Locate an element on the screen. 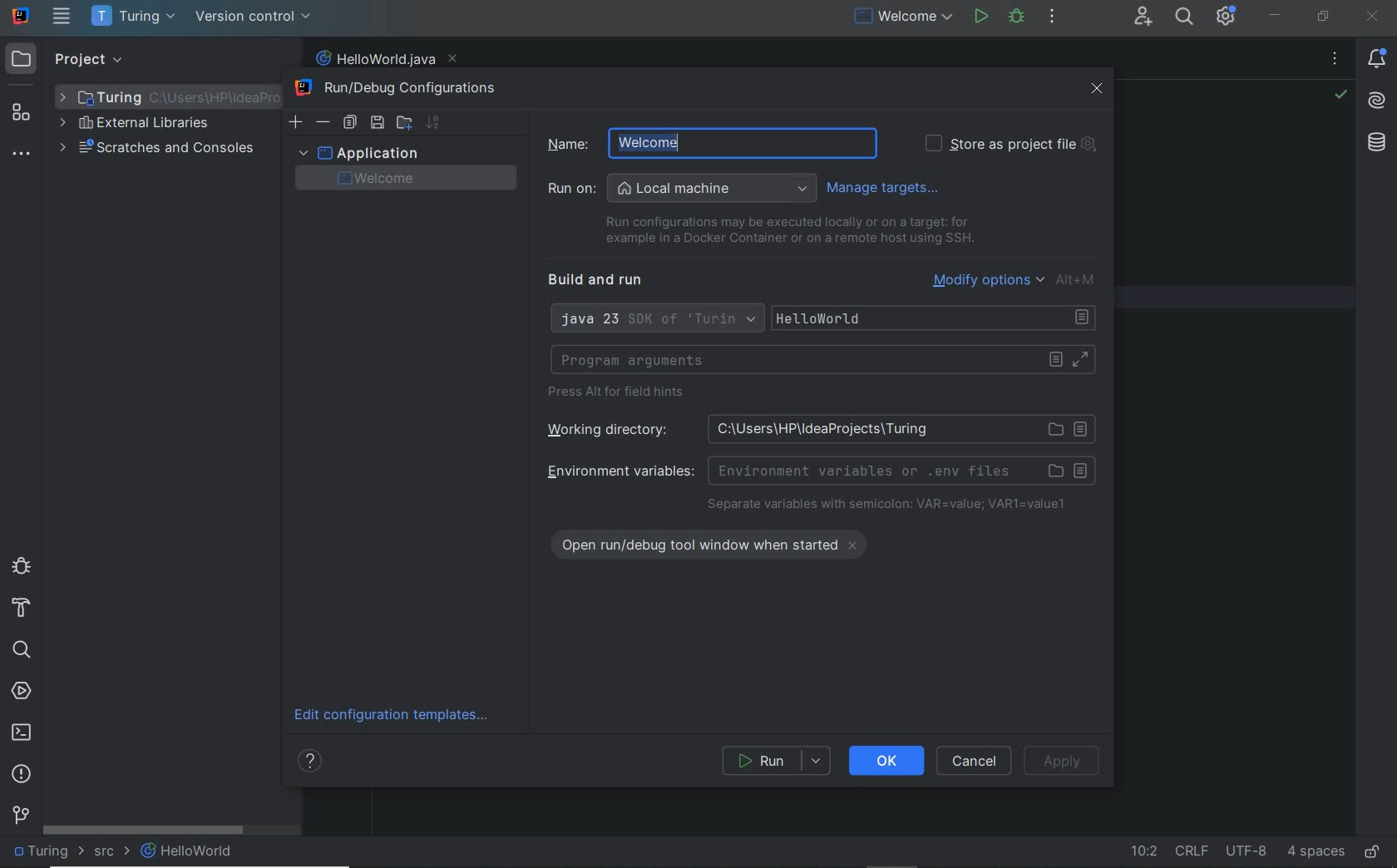 The width and height of the screenshot is (1397, 868). search is located at coordinates (21, 650).